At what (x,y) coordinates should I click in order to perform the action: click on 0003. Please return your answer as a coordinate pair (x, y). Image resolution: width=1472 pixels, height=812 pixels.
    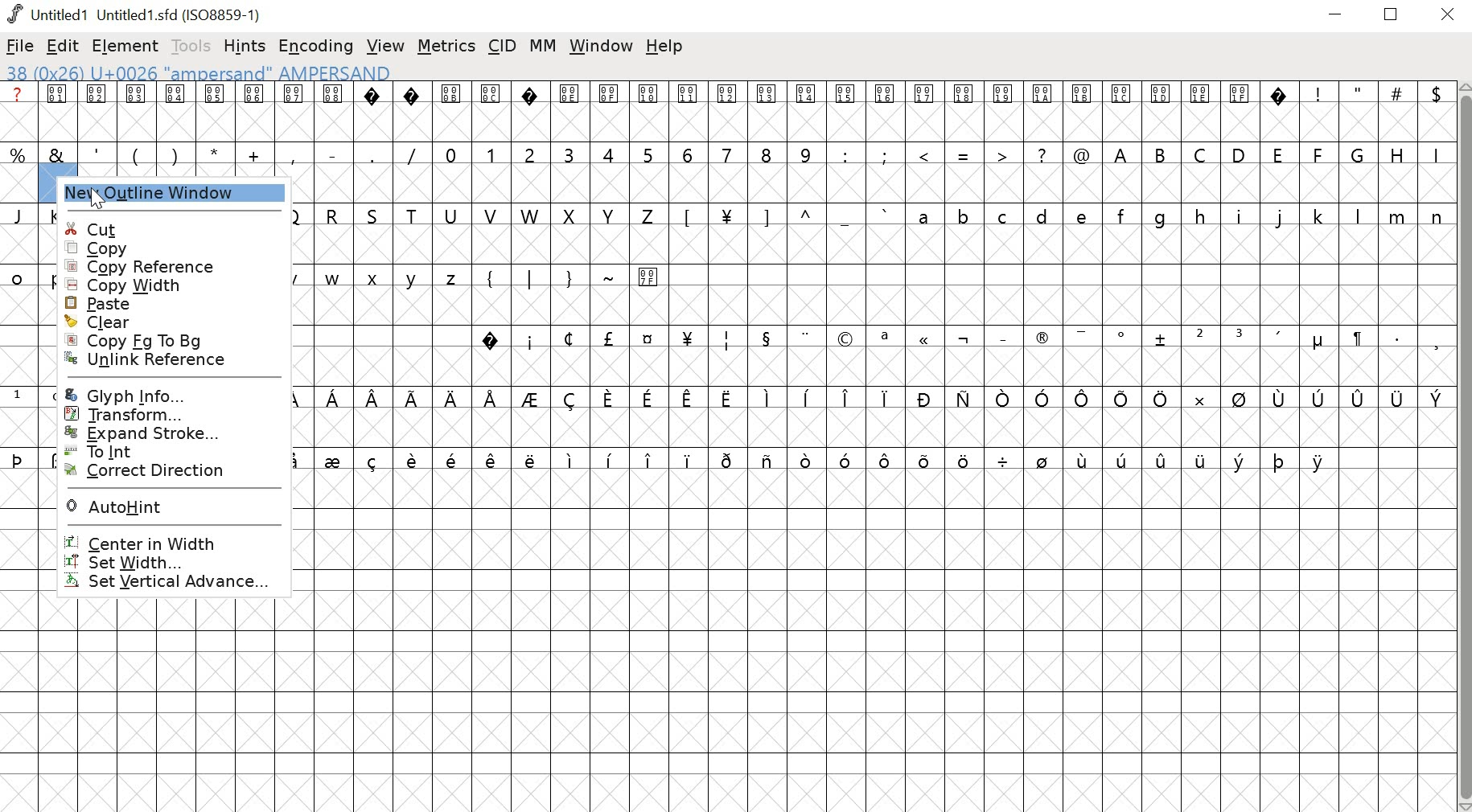
    Looking at the image, I should click on (137, 111).